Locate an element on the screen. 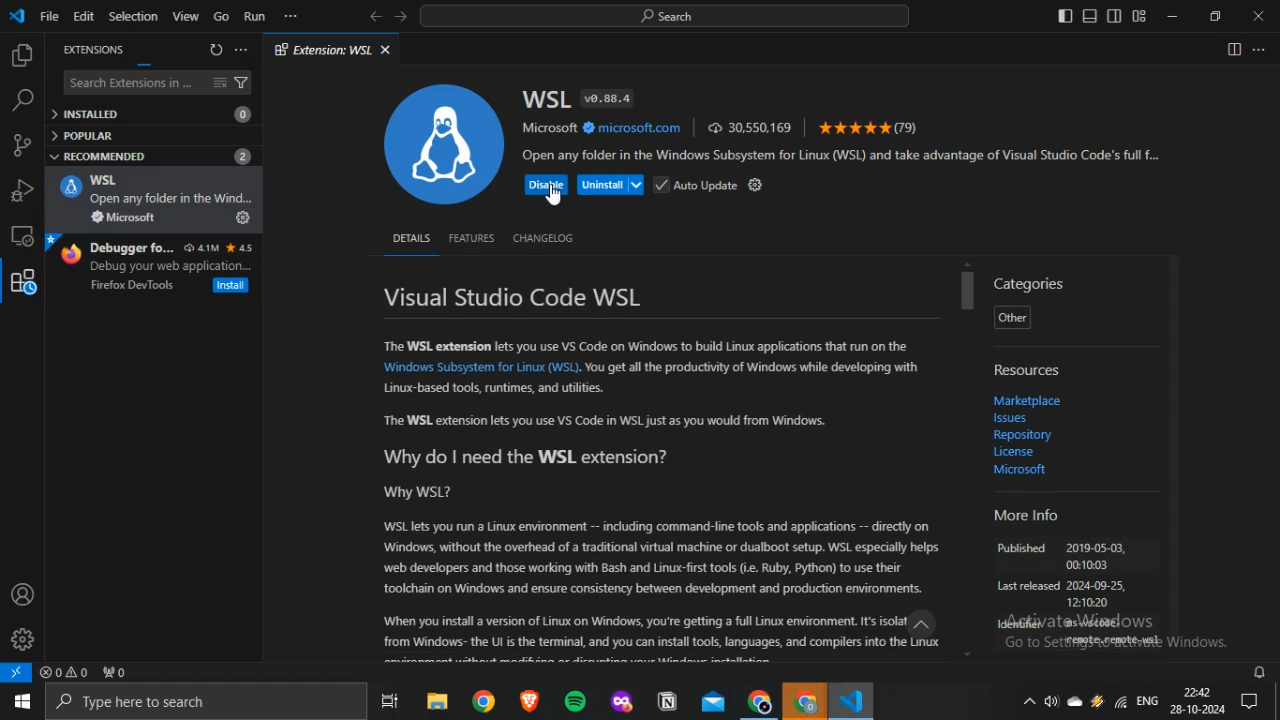 This screenshot has width=1280, height=720. WSL lets you run a Linux environment -- including command-line tools and applications -- directly on
‘Windows, without the overhead of a traditional virtual machine or dualboot setup. WSL especially helps.
‘web developers and those working with Bash and Linux-first tools (i. Ruby, Python) to use their
‘tookhain on Windows and ensure consistency between development and production environments. is located at coordinates (662, 559).